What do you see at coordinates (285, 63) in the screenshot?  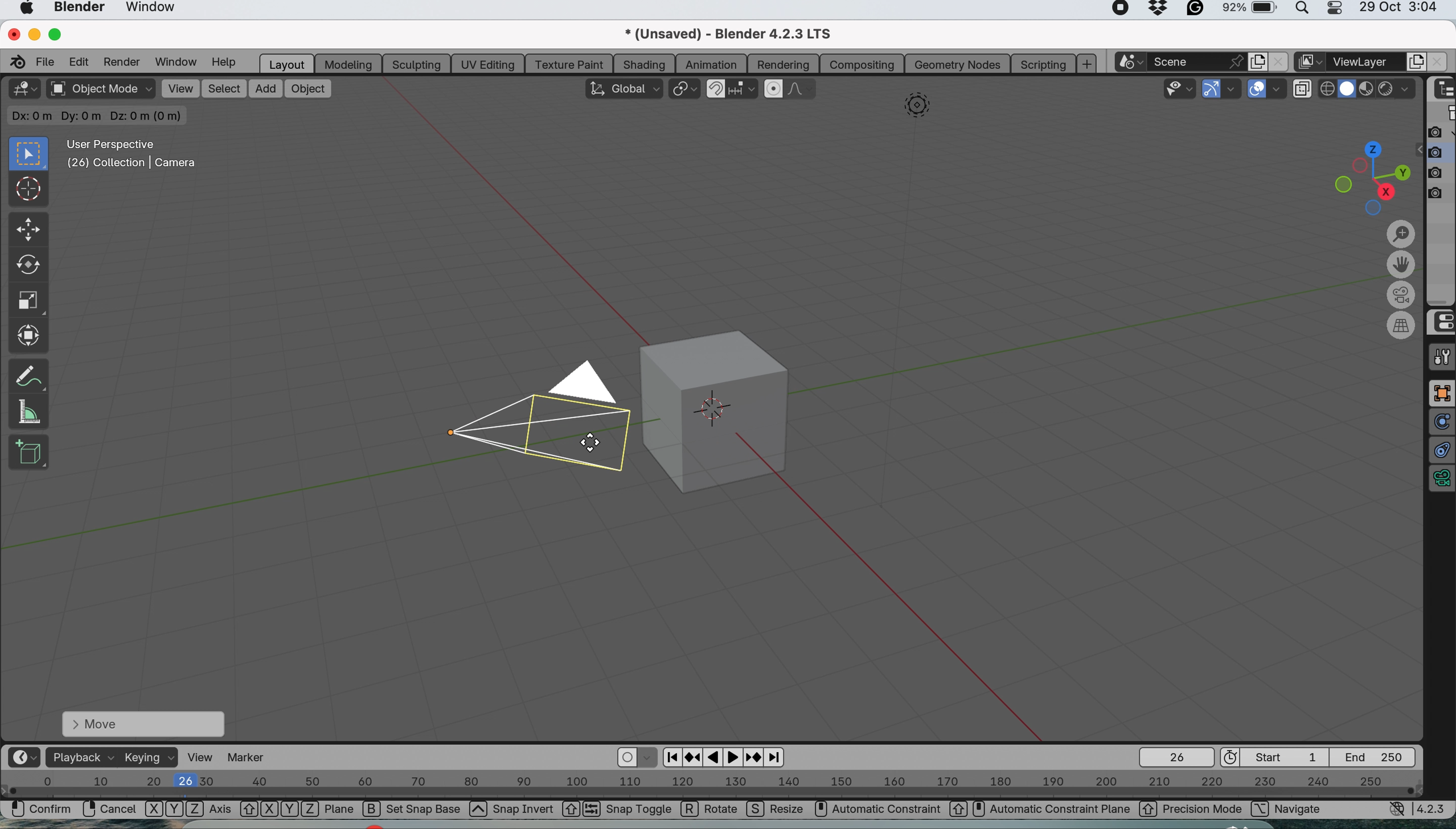 I see `layout` at bounding box center [285, 63].